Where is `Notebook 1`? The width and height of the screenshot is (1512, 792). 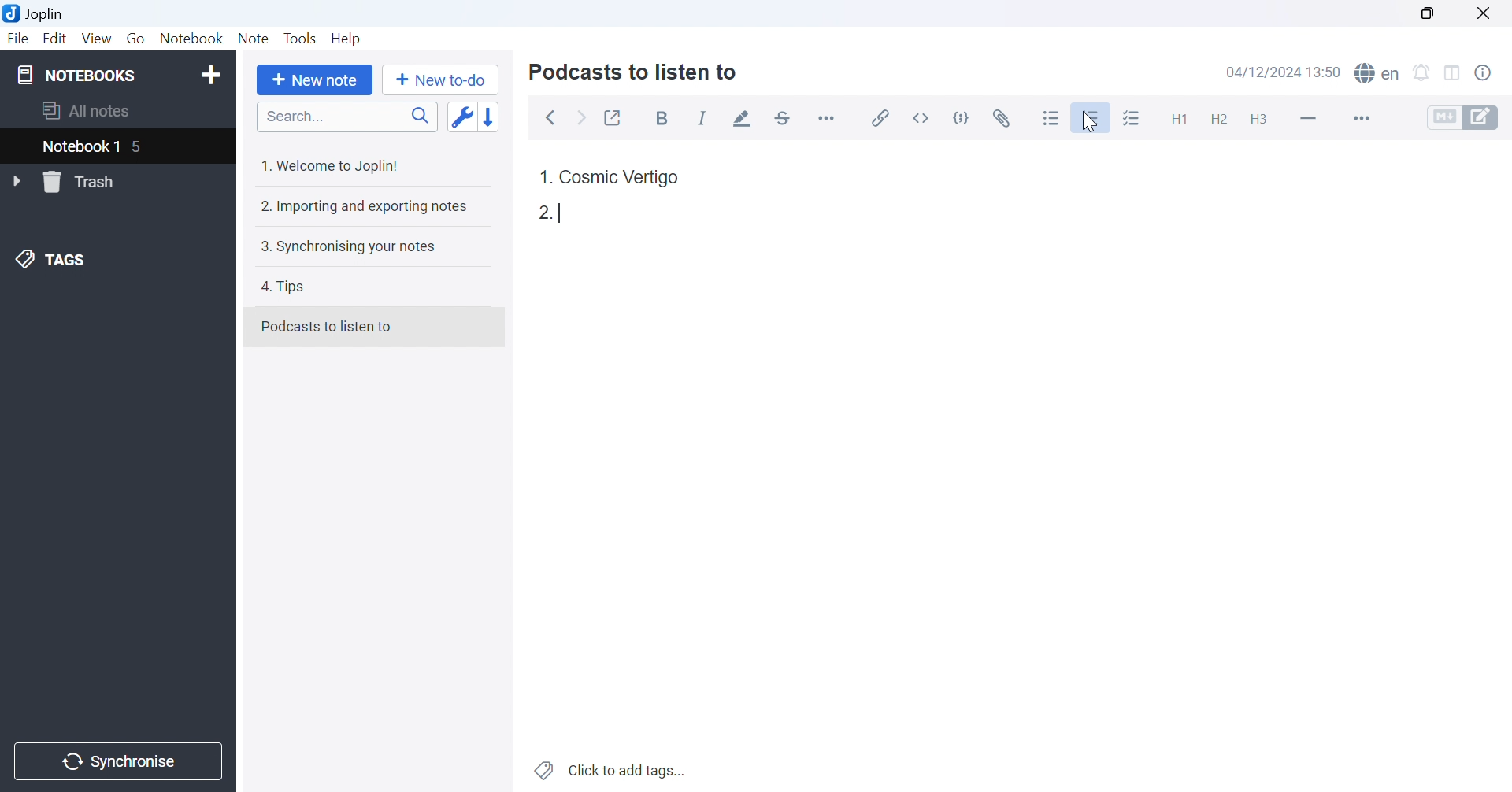
Notebook 1 is located at coordinates (80, 147).